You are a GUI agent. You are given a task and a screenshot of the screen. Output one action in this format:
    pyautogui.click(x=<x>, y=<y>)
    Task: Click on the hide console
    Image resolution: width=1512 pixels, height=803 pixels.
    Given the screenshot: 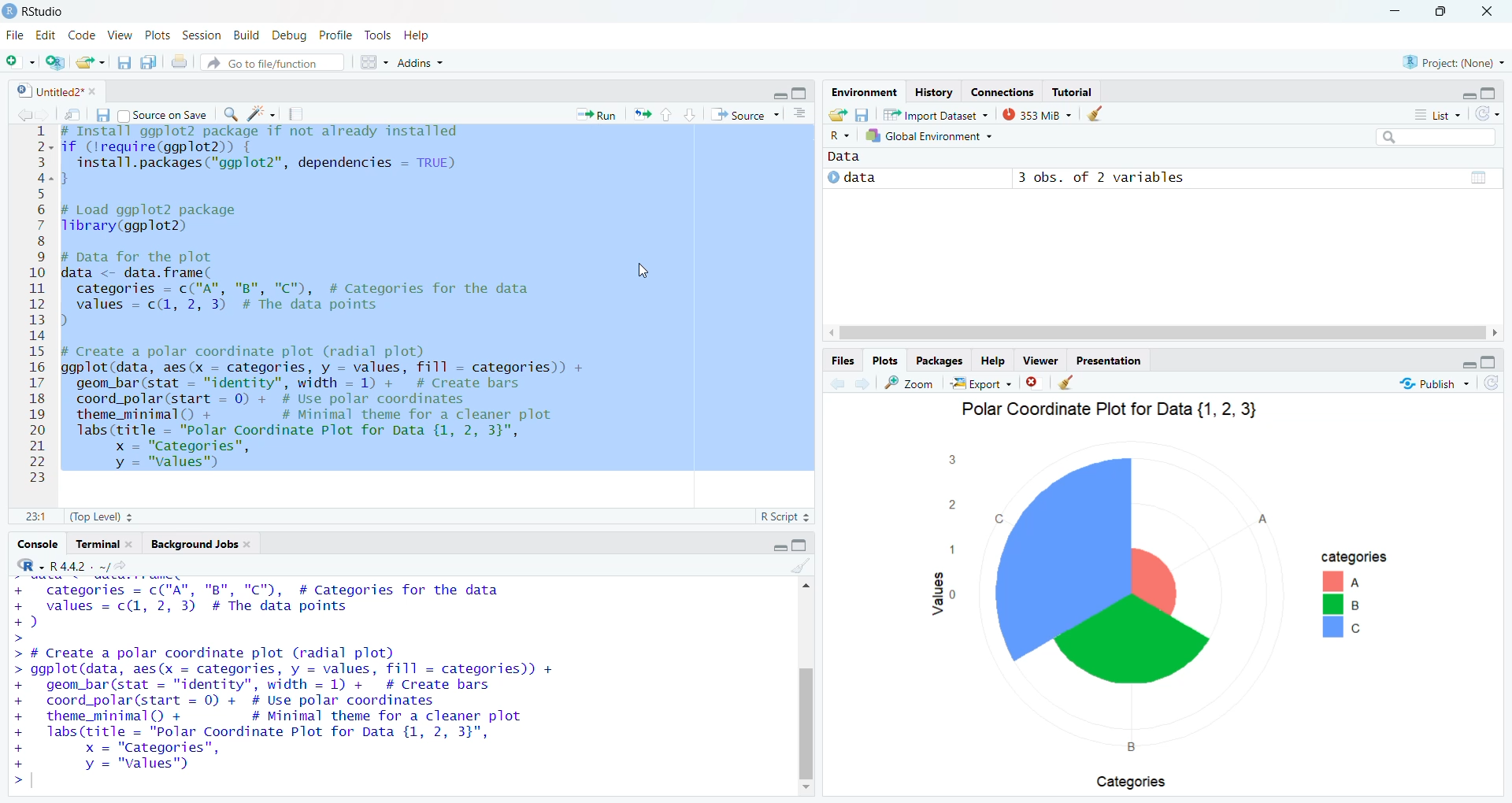 What is the action you would take?
    pyautogui.click(x=800, y=92)
    